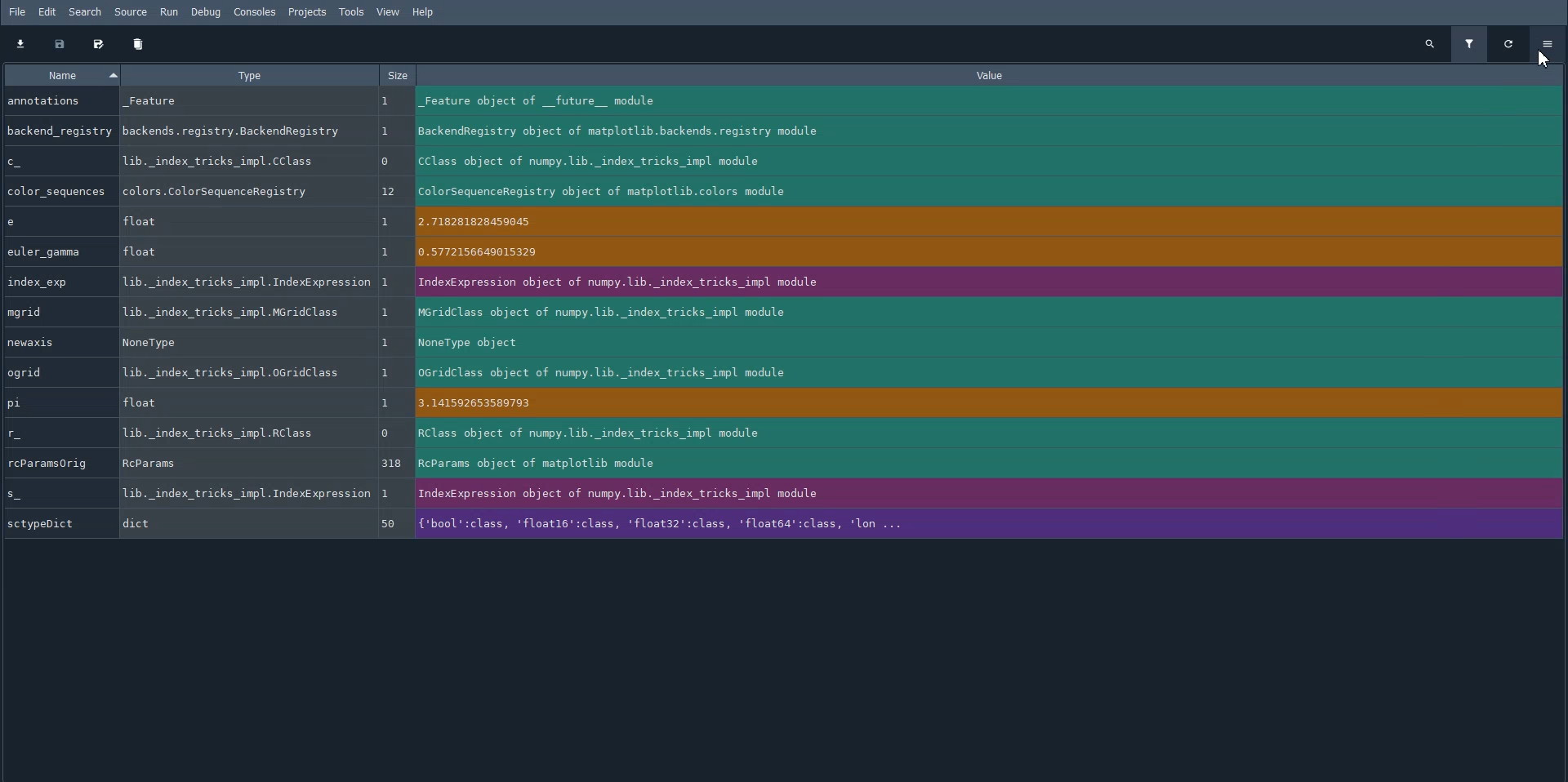 The height and width of the screenshot is (782, 1568). What do you see at coordinates (392, 223) in the screenshot?
I see `1` at bounding box center [392, 223].